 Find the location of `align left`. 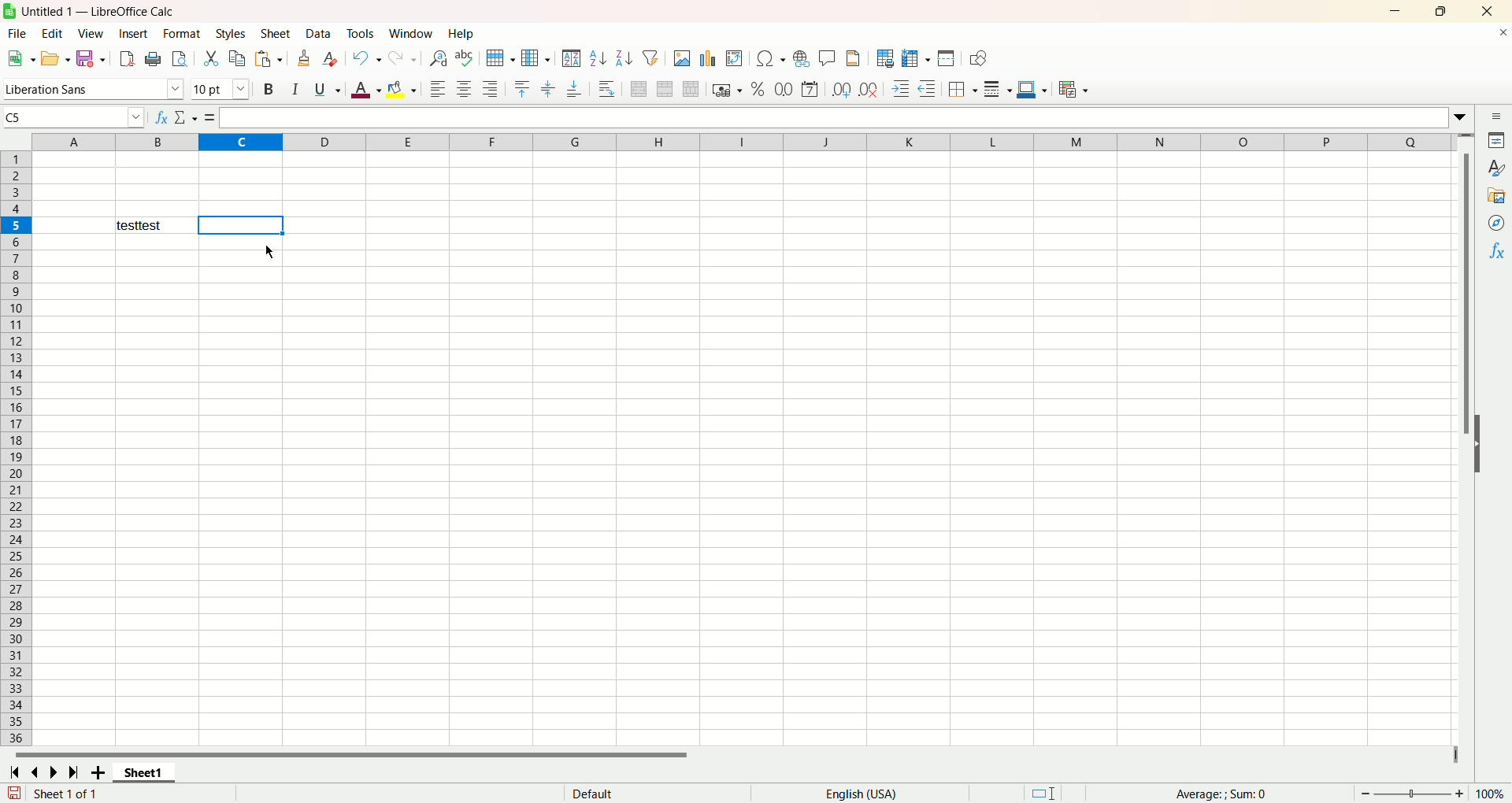

align left is located at coordinates (438, 87).